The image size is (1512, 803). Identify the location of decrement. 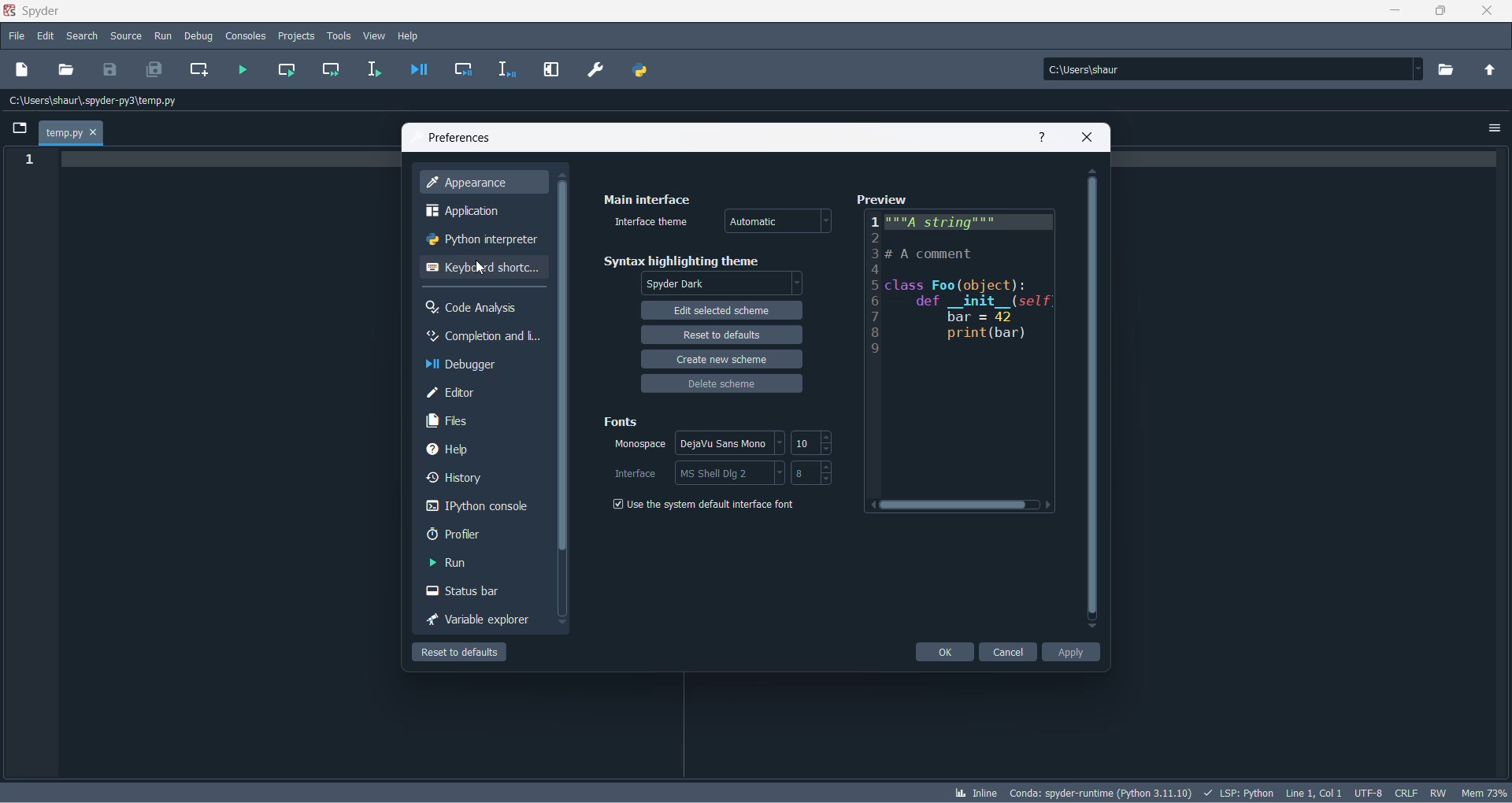
(828, 450).